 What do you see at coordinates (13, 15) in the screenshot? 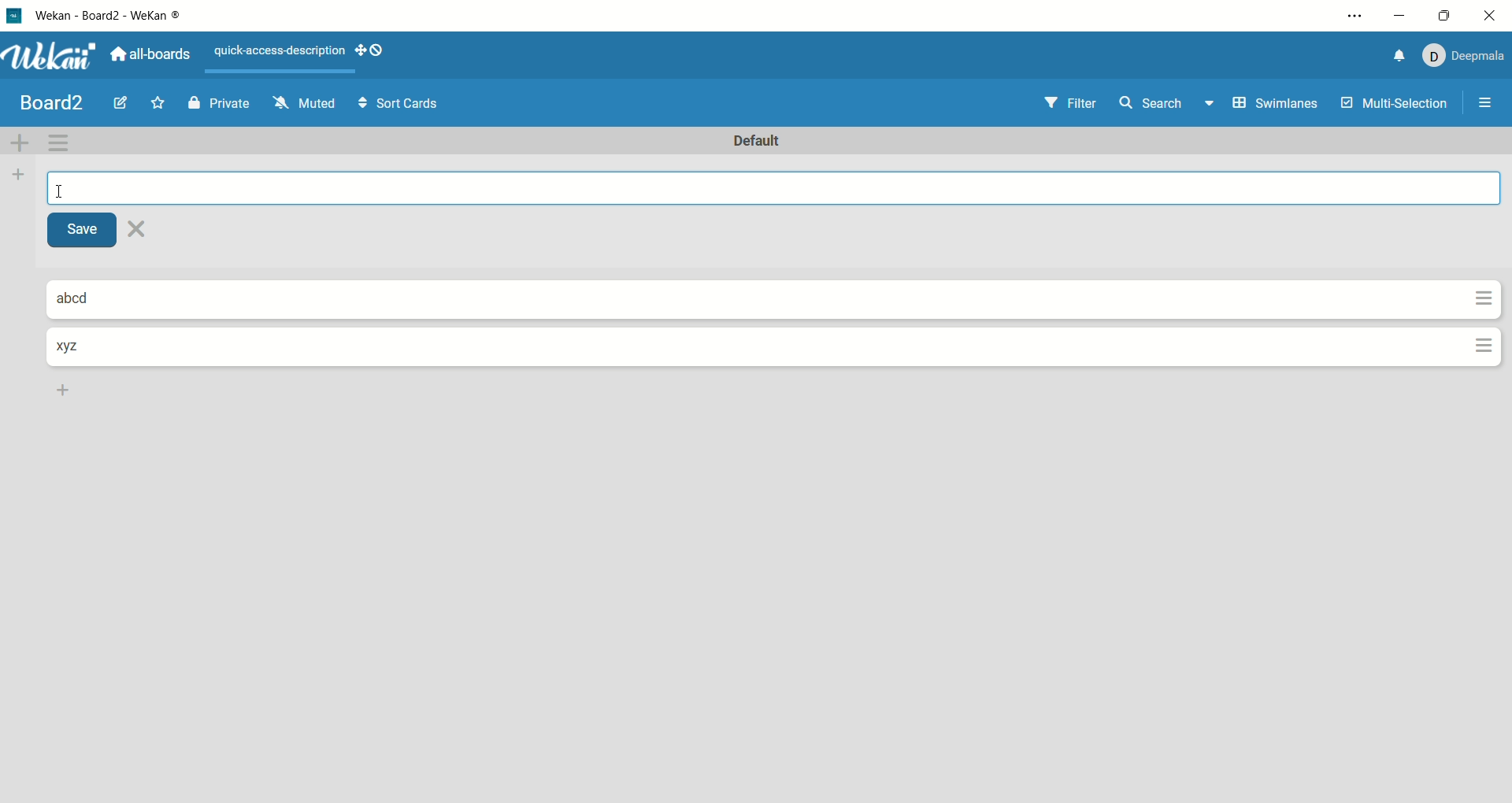
I see `logo` at bounding box center [13, 15].